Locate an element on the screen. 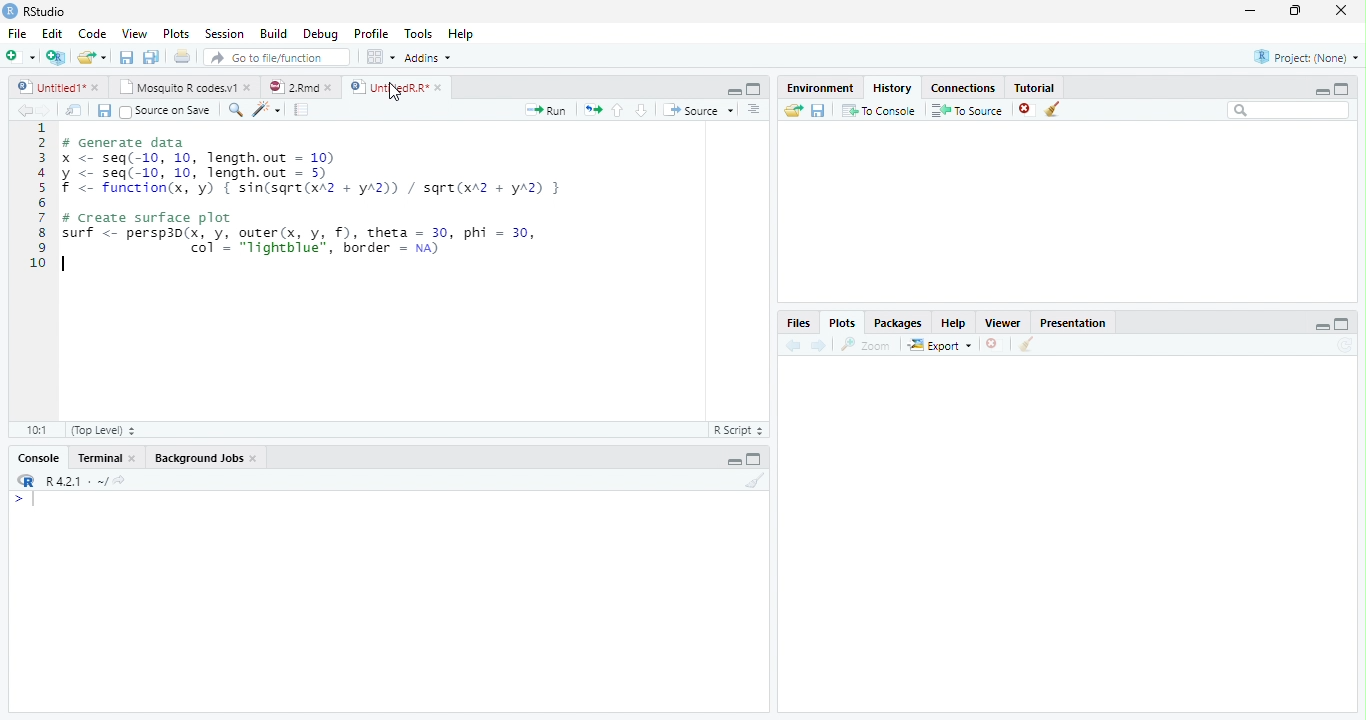 This screenshot has width=1366, height=720. Project: (None) is located at coordinates (1306, 57).